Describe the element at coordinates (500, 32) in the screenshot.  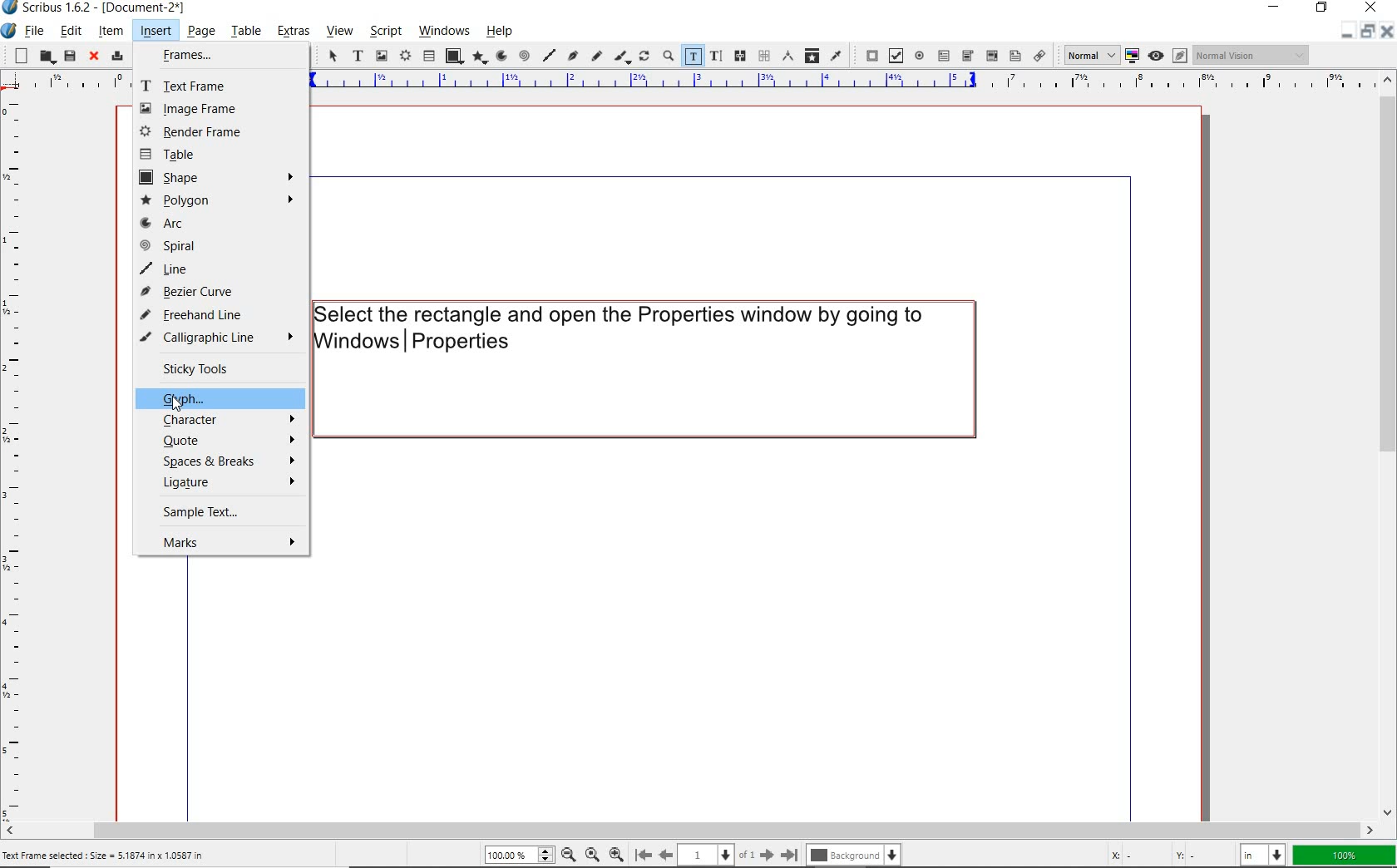
I see `help` at that location.